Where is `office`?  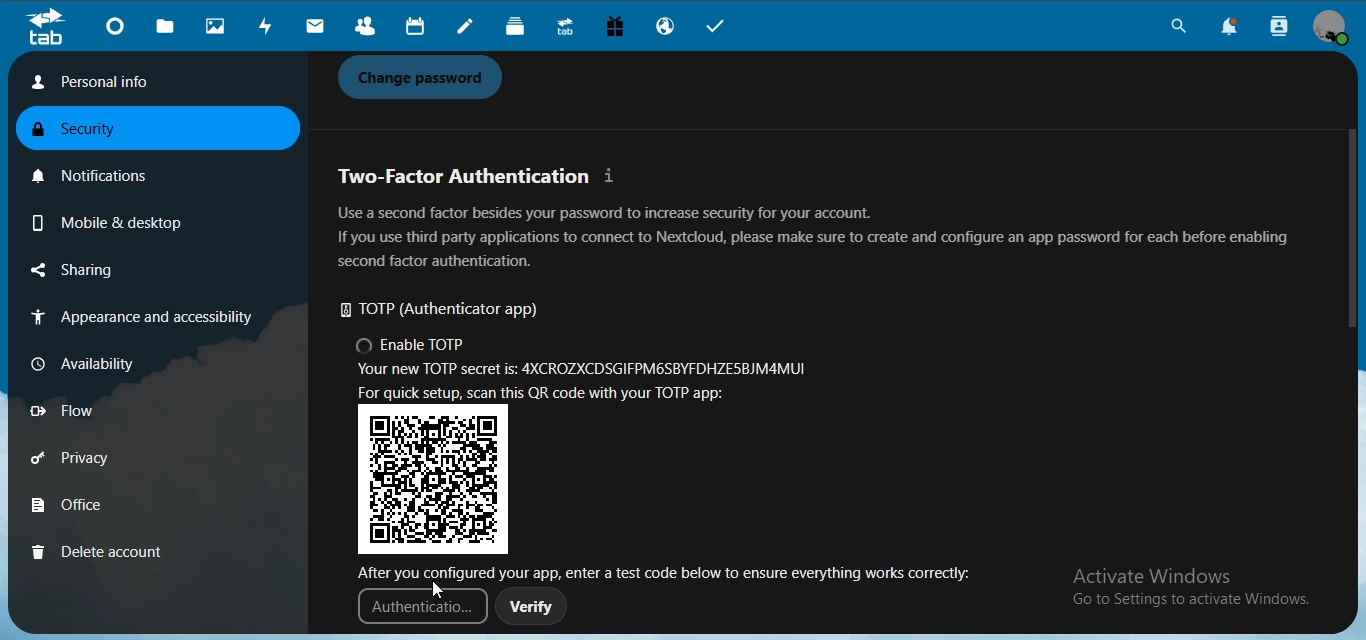
office is located at coordinates (97, 507).